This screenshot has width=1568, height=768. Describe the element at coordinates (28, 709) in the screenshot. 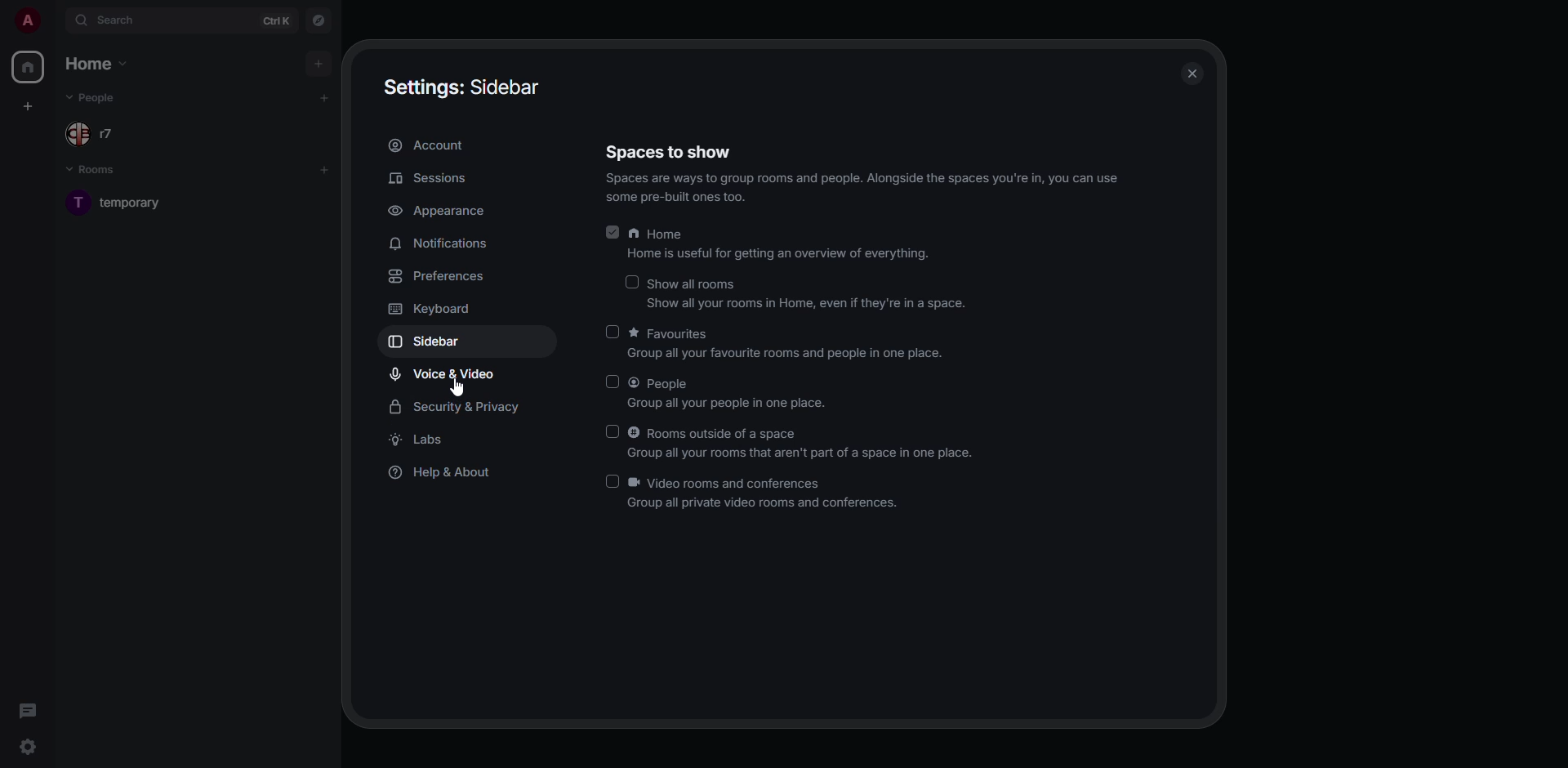

I see `threads` at that location.